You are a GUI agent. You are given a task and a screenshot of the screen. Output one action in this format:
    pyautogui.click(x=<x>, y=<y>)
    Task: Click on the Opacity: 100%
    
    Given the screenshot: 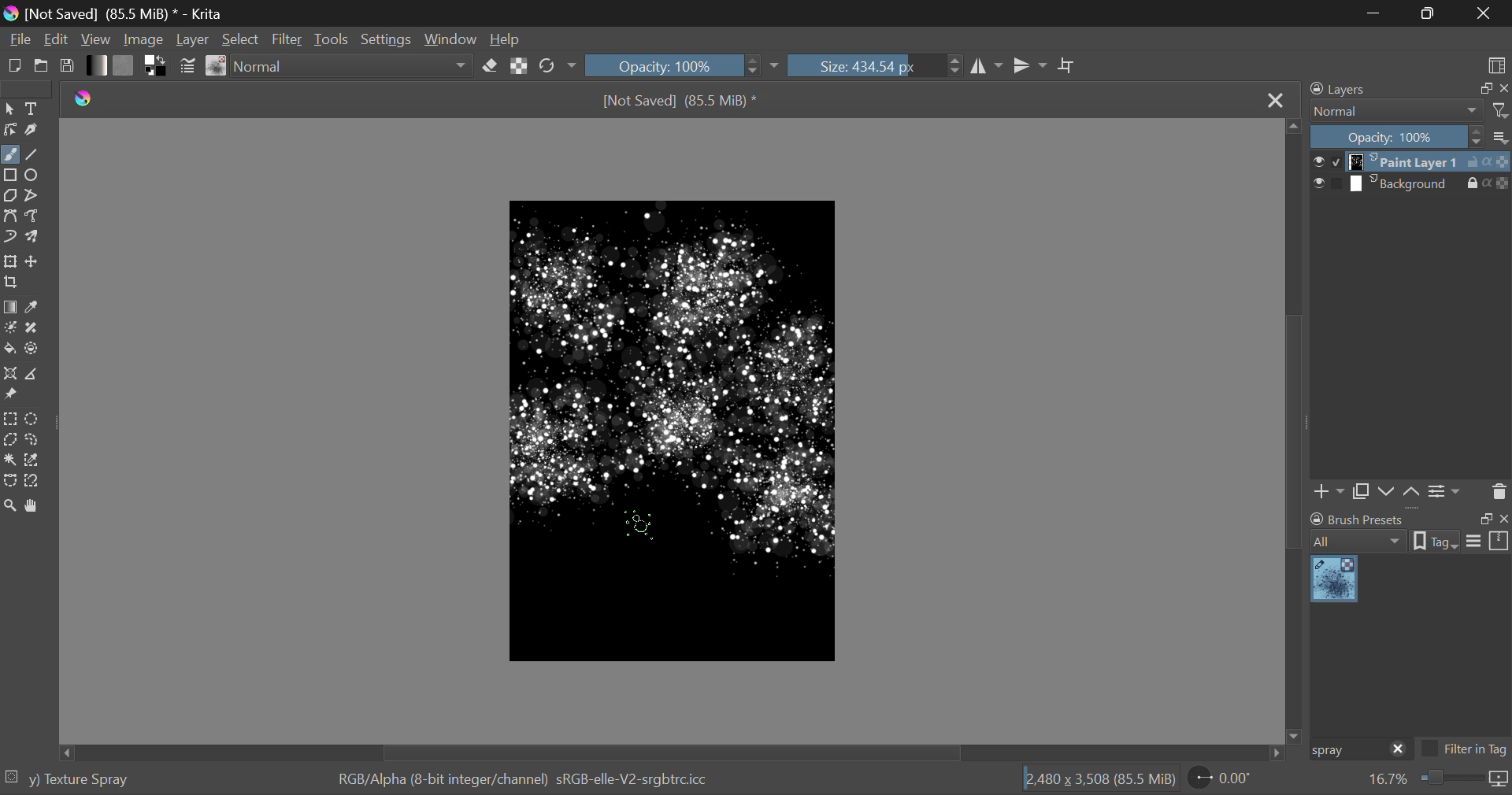 What is the action you would take?
    pyautogui.click(x=1397, y=138)
    